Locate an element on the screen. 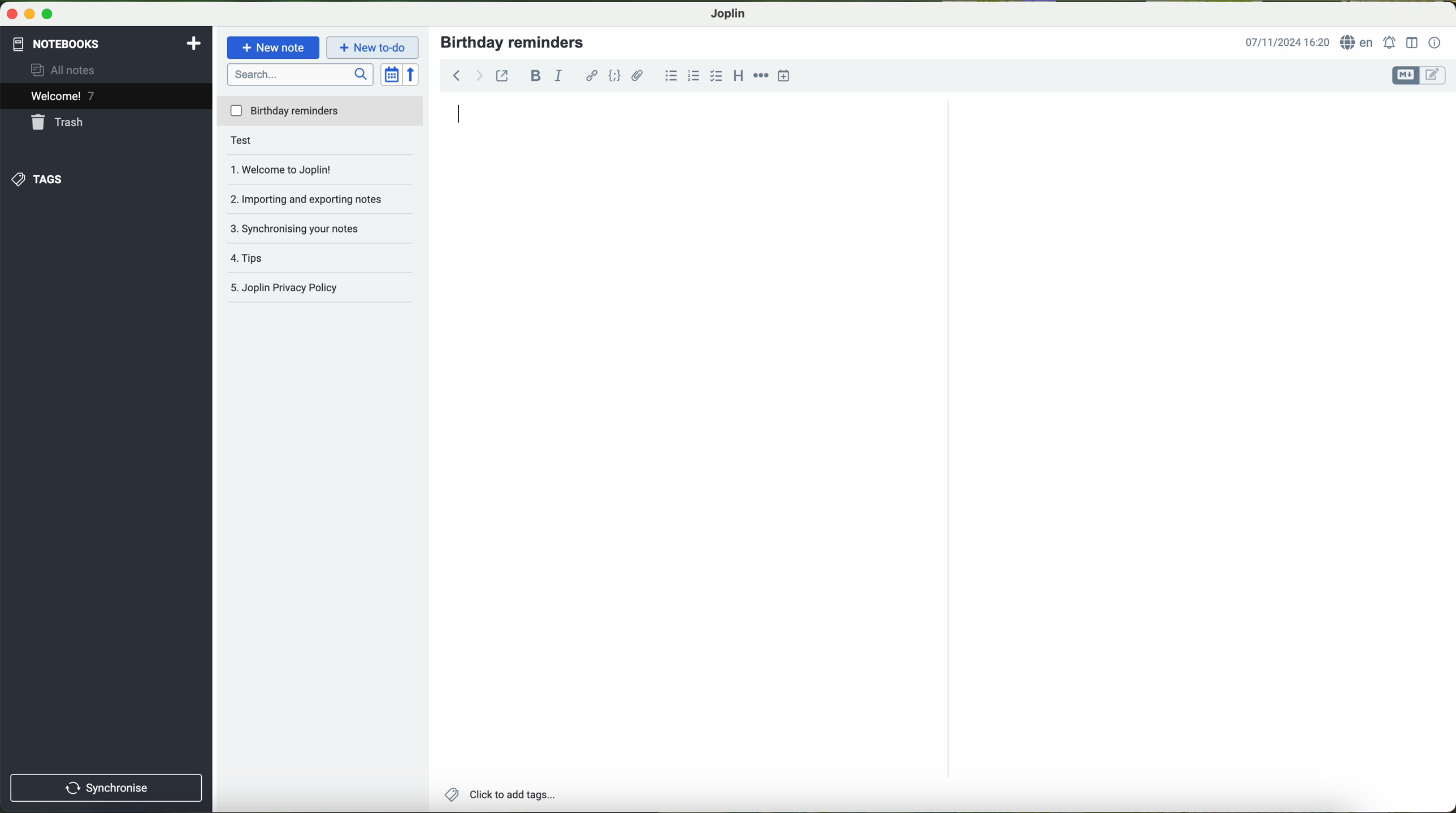  numbered list is located at coordinates (692, 75).